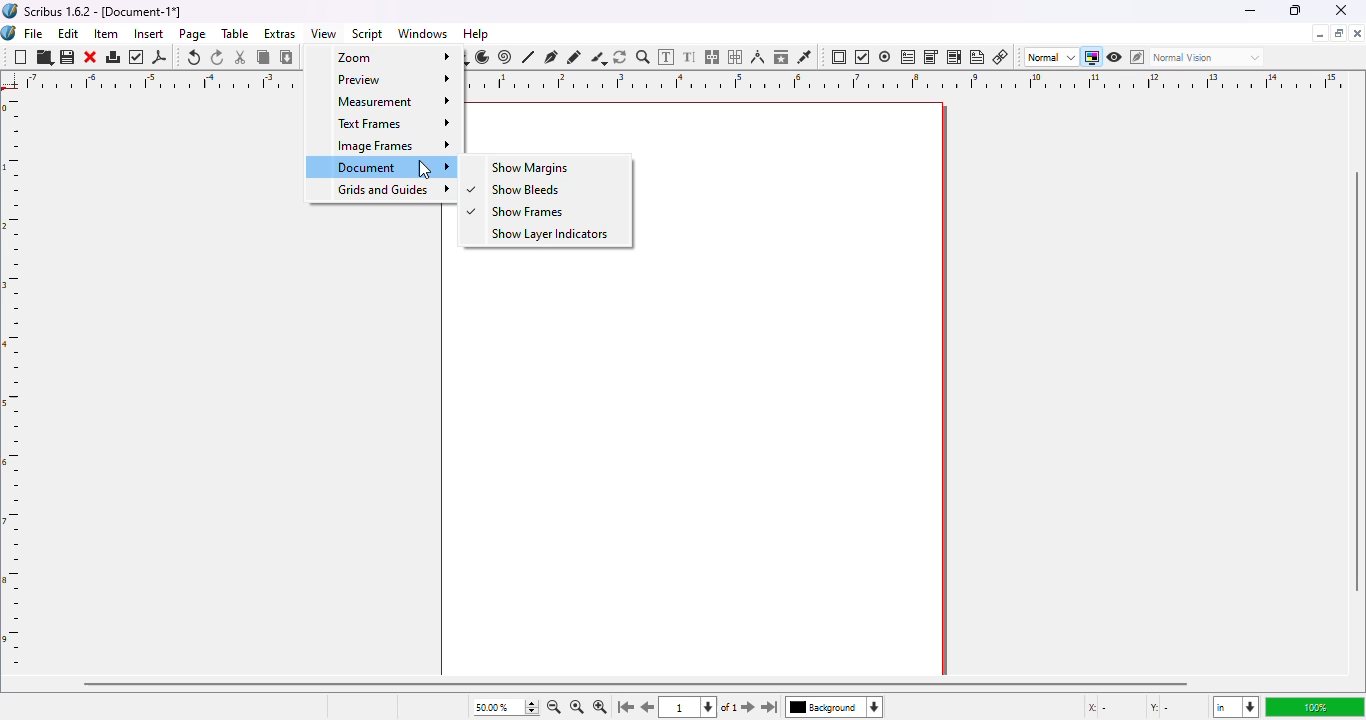 The width and height of the screenshot is (1366, 720). I want to click on zoom out , so click(553, 707).